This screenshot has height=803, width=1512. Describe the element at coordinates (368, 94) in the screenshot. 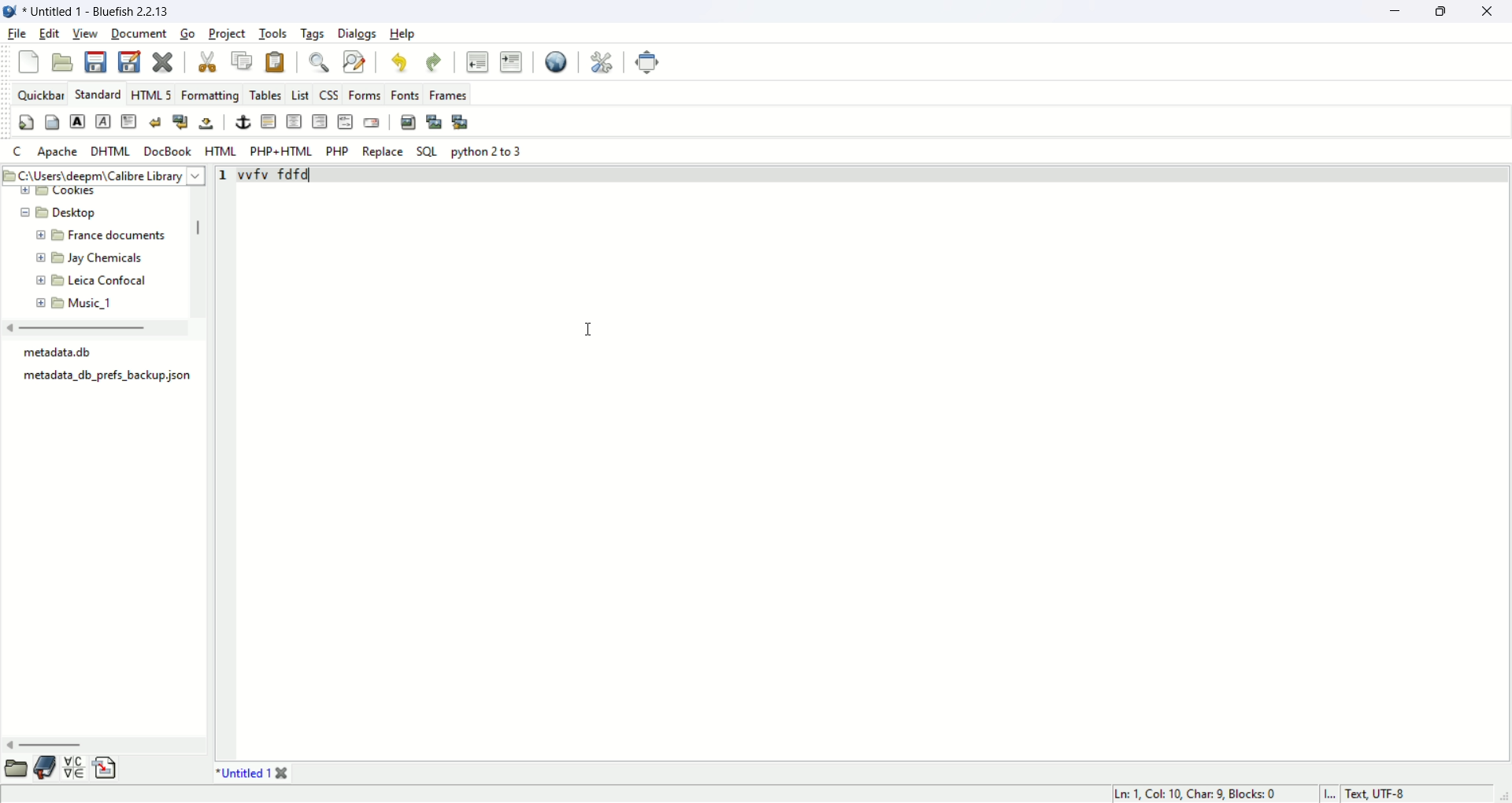

I see `forms` at that location.